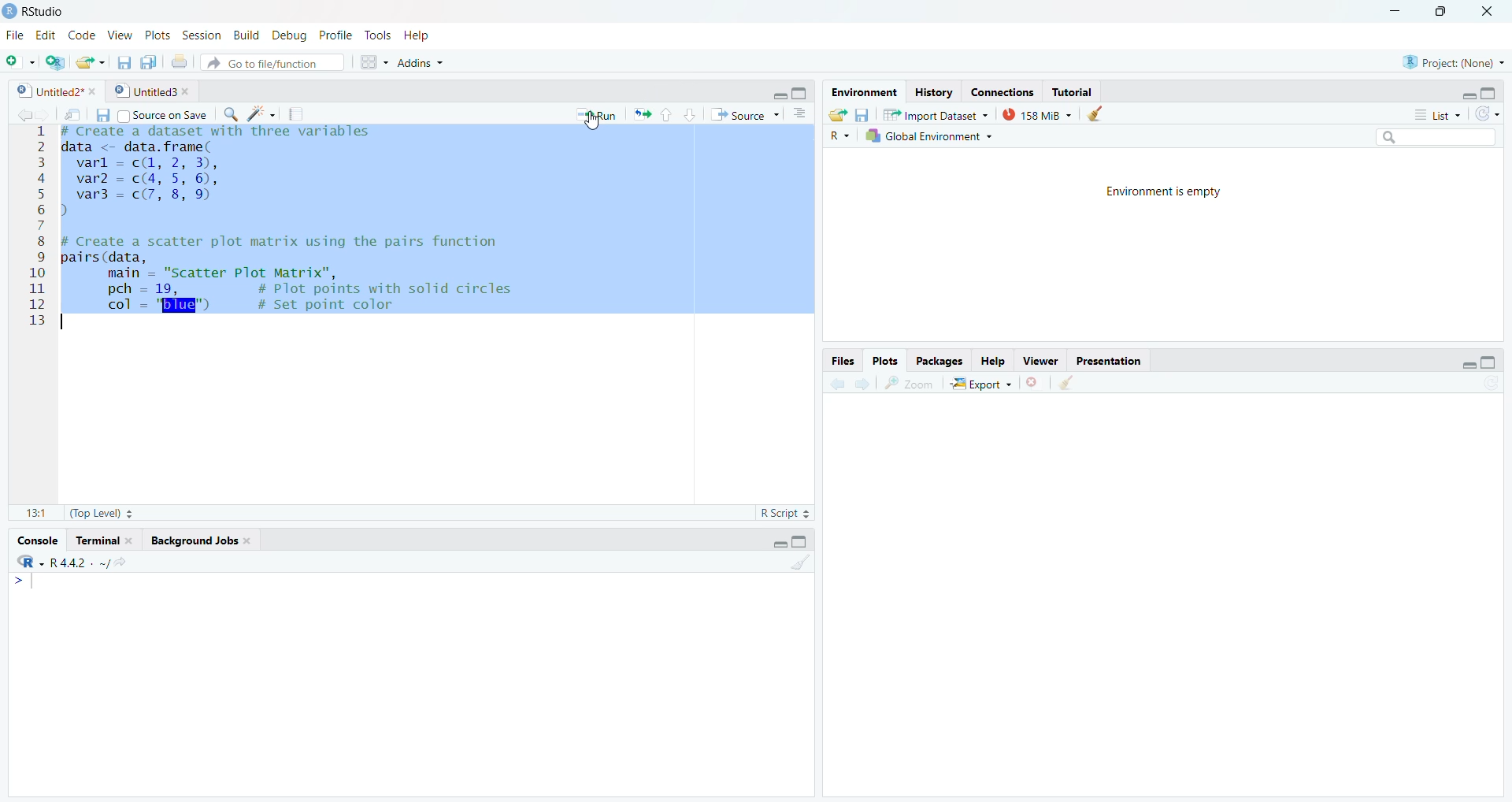  What do you see at coordinates (664, 113) in the screenshot?
I see `Rerun the previous code` at bounding box center [664, 113].